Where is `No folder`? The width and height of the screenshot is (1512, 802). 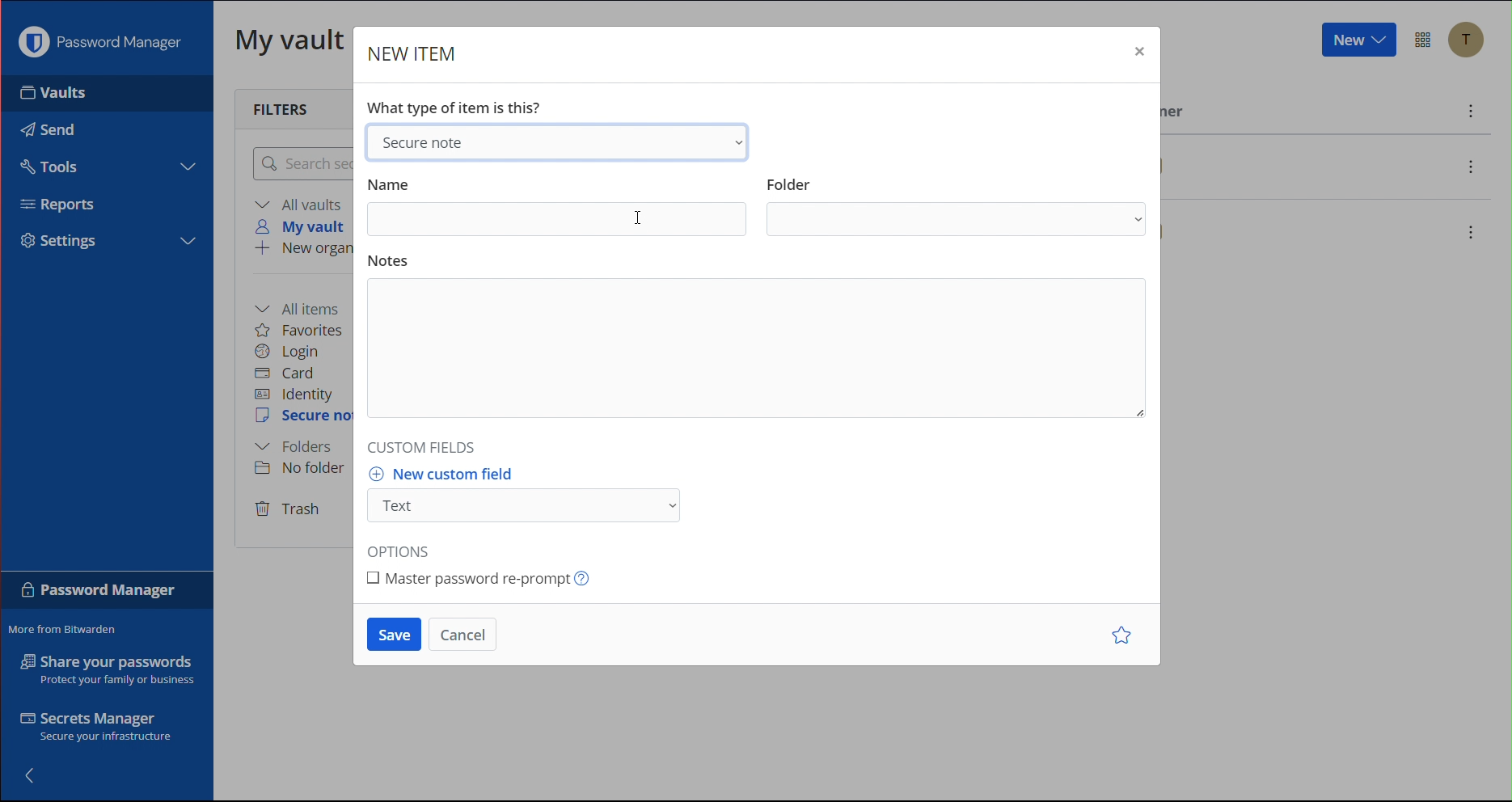 No folder is located at coordinates (301, 470).